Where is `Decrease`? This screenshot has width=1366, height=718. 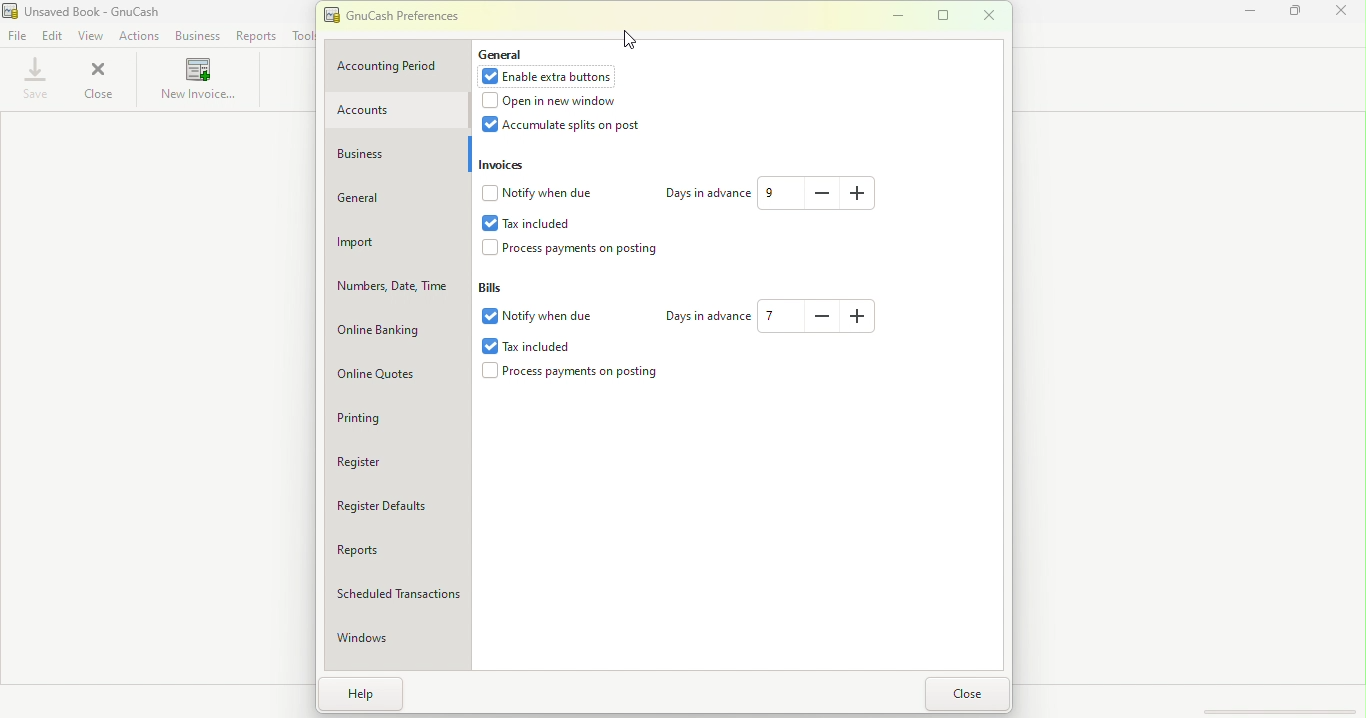 Decrease is located at coordinates (819, 196).